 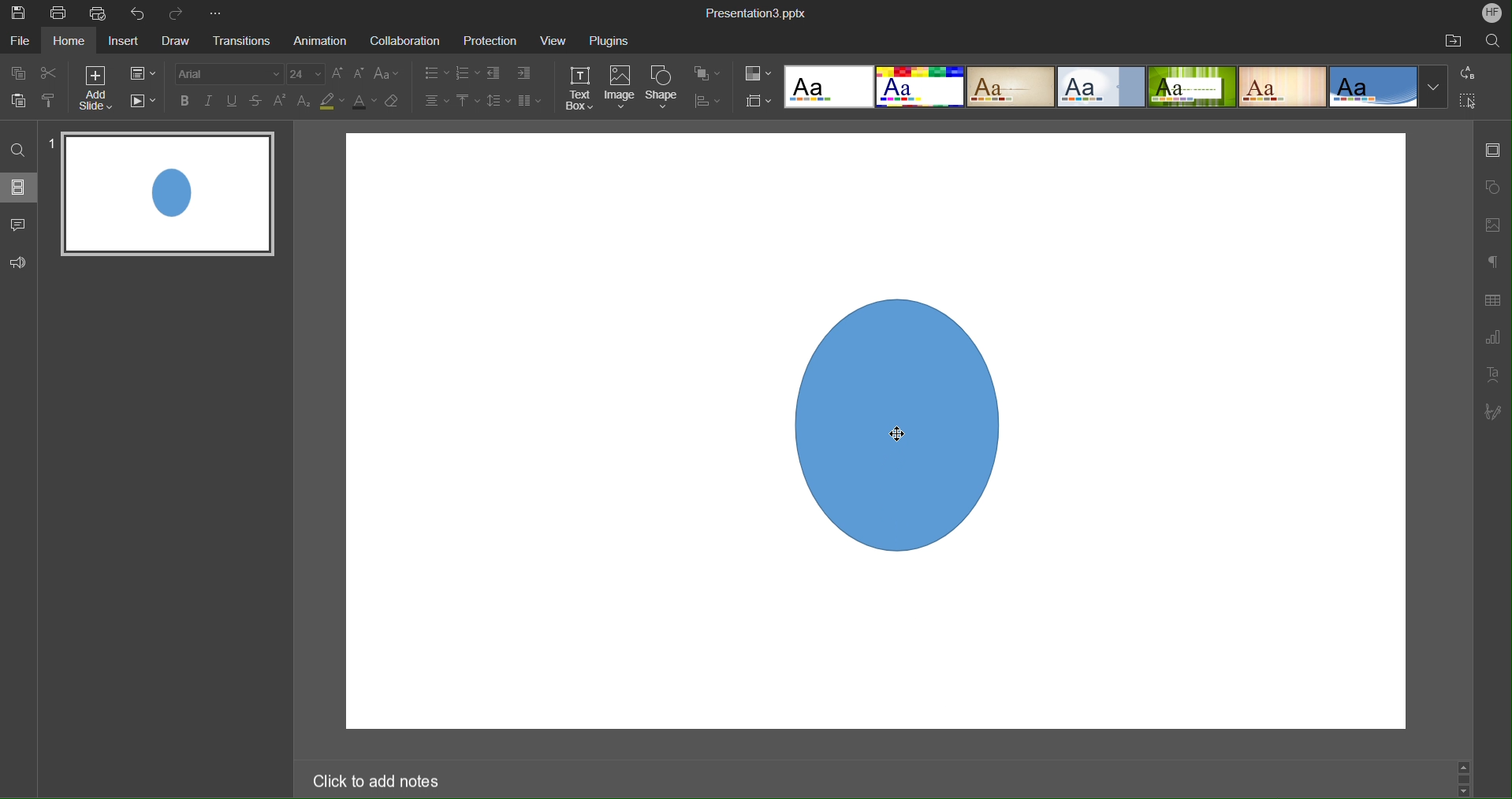 I want to click on Image, so click(x=891, y=426).